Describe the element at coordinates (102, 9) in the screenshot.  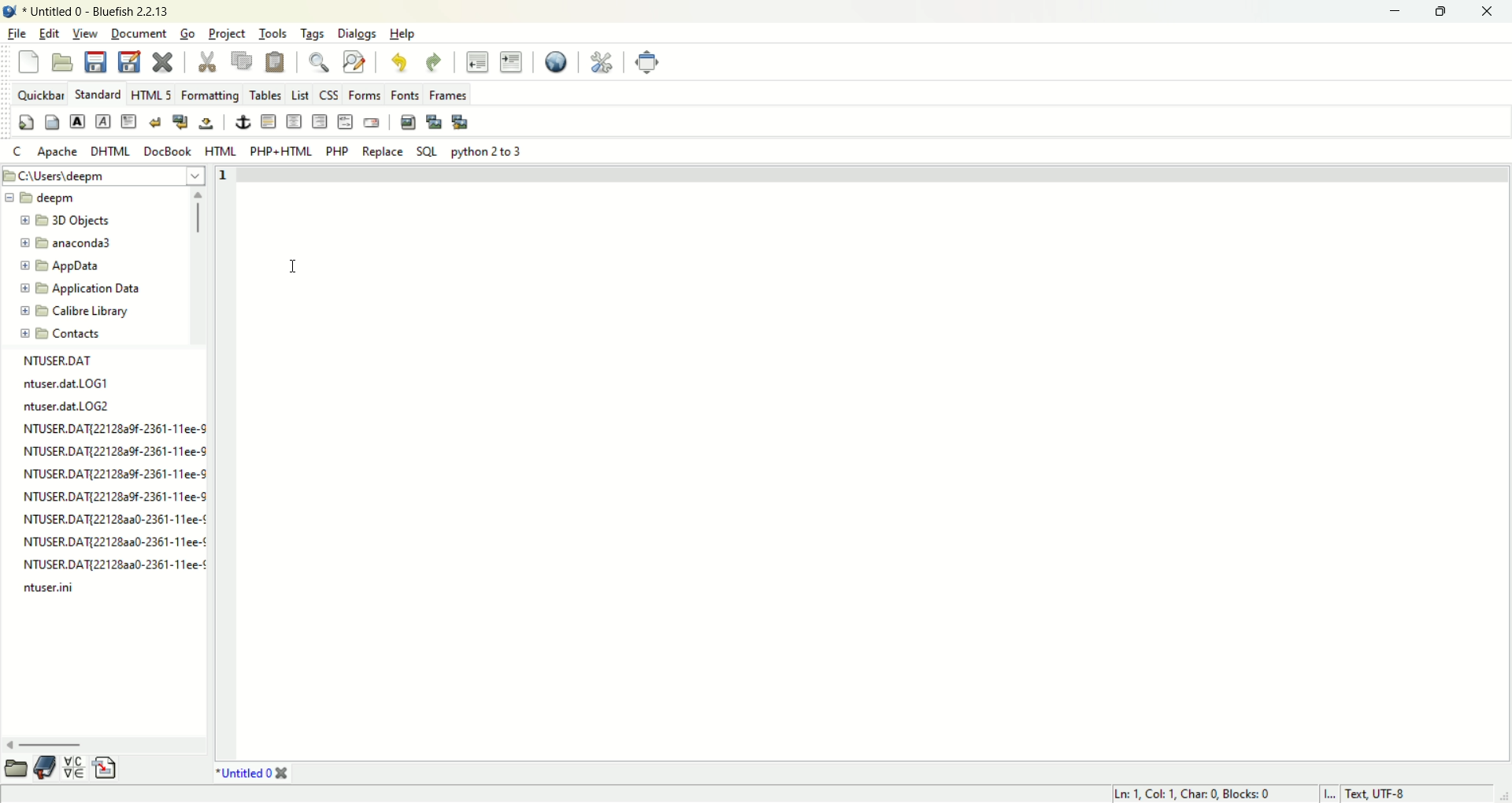
I see `document name` at that location.